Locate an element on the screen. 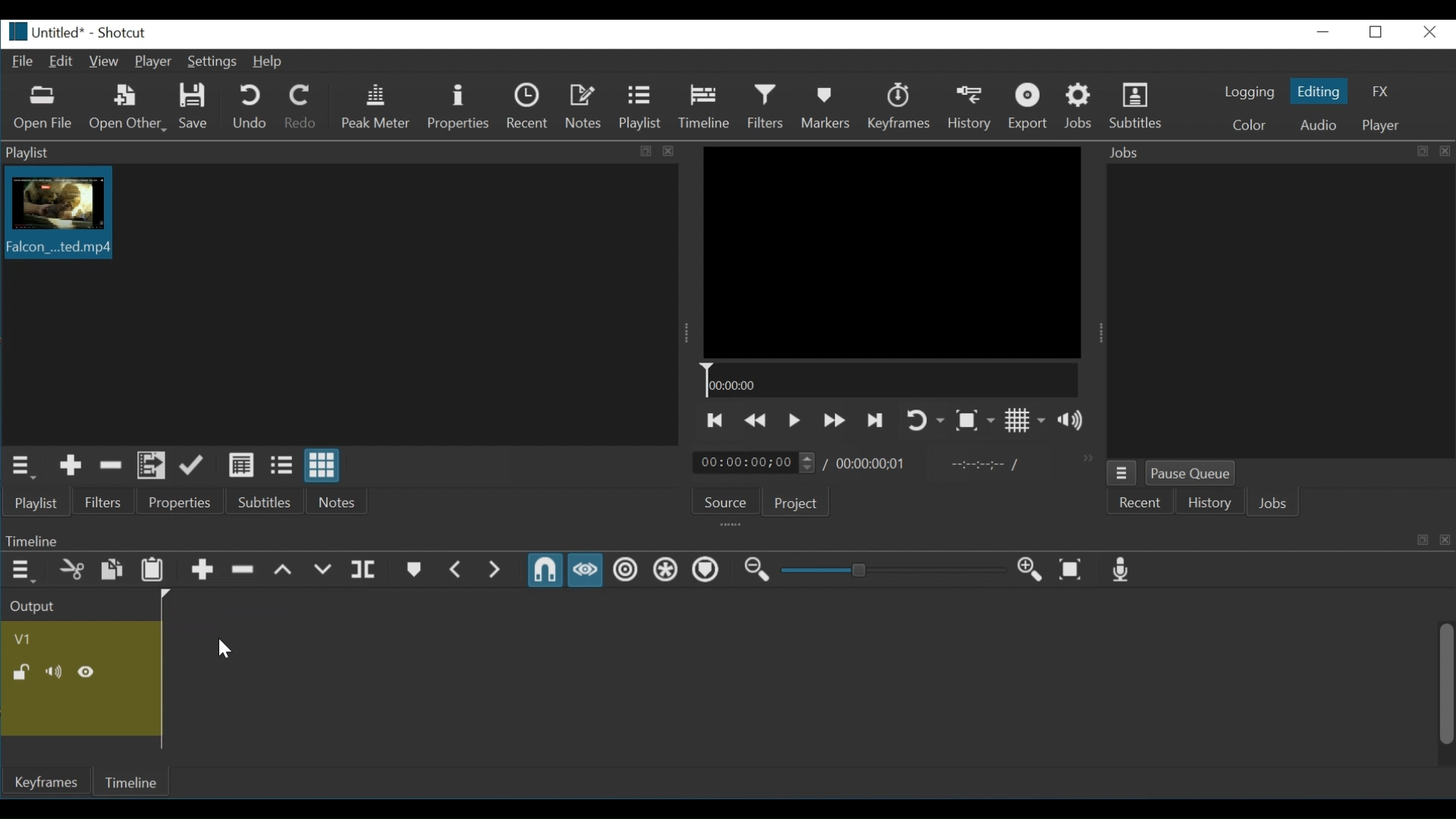  Peak Meter is located at coordinates (378, 106).